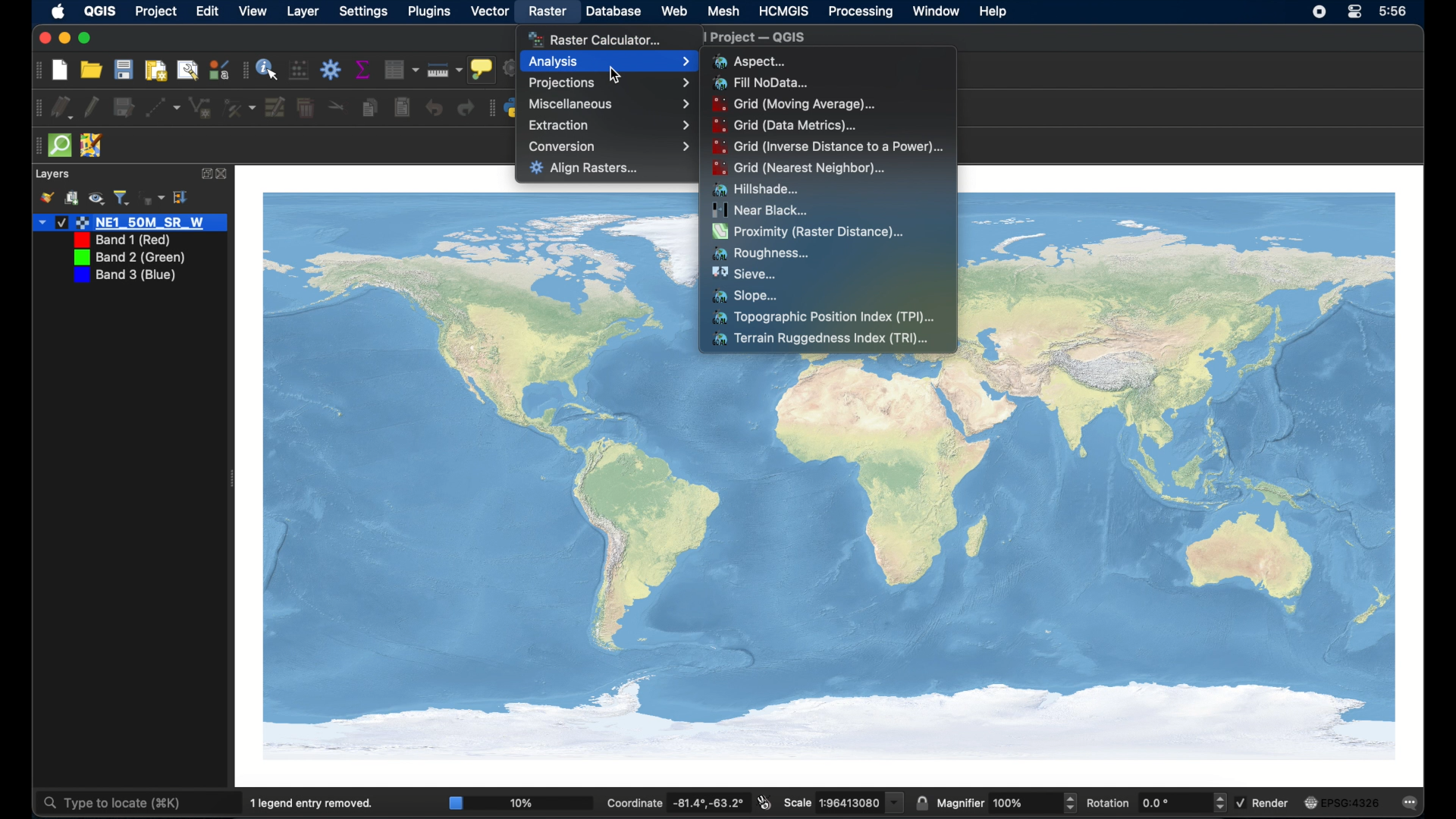  Describe the element at coordinates (303, 11) in the screenshot. I see `layer` at that location.